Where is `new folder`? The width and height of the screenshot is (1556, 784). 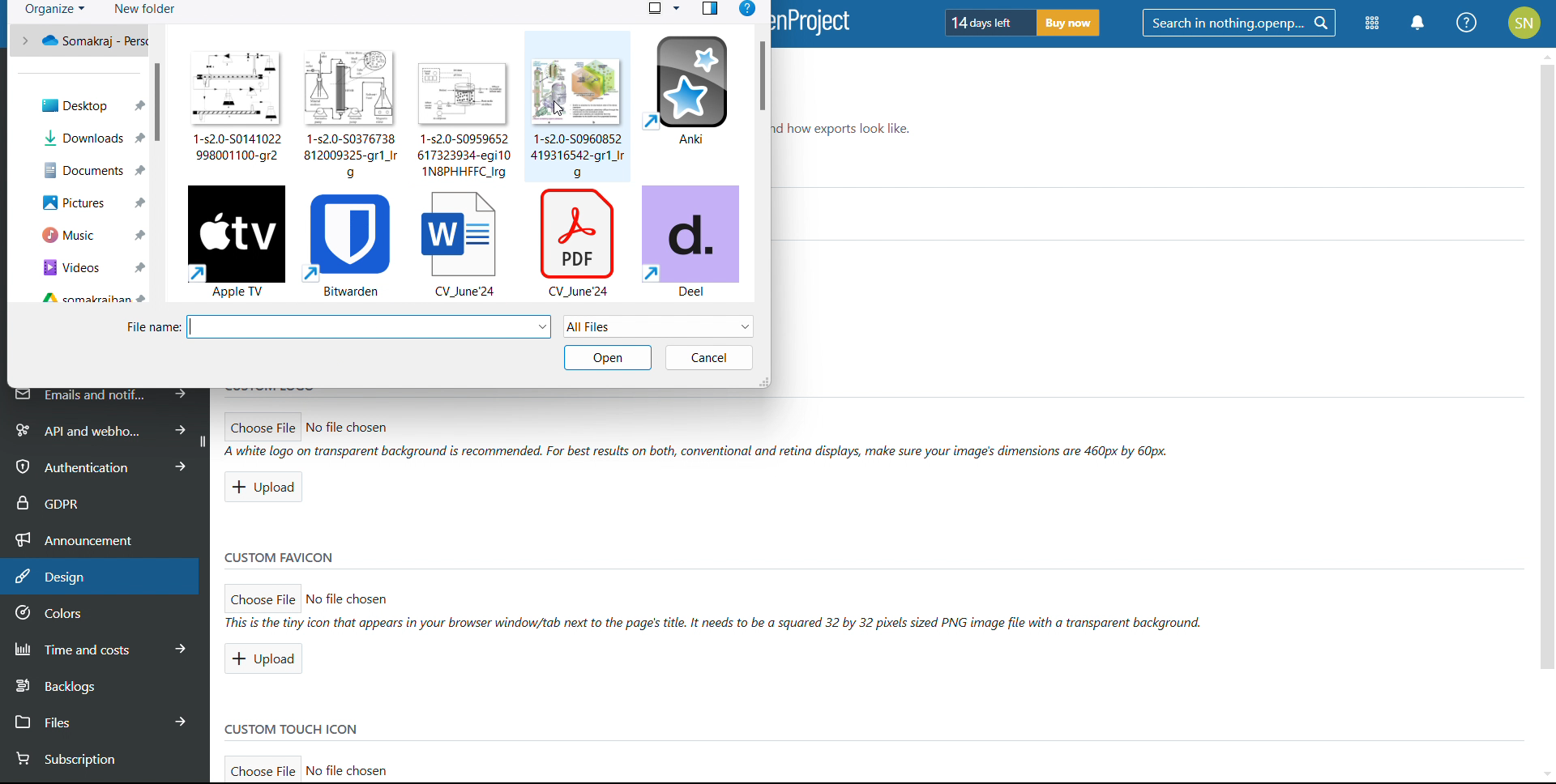
new folder is located at coordinates (143, 8).